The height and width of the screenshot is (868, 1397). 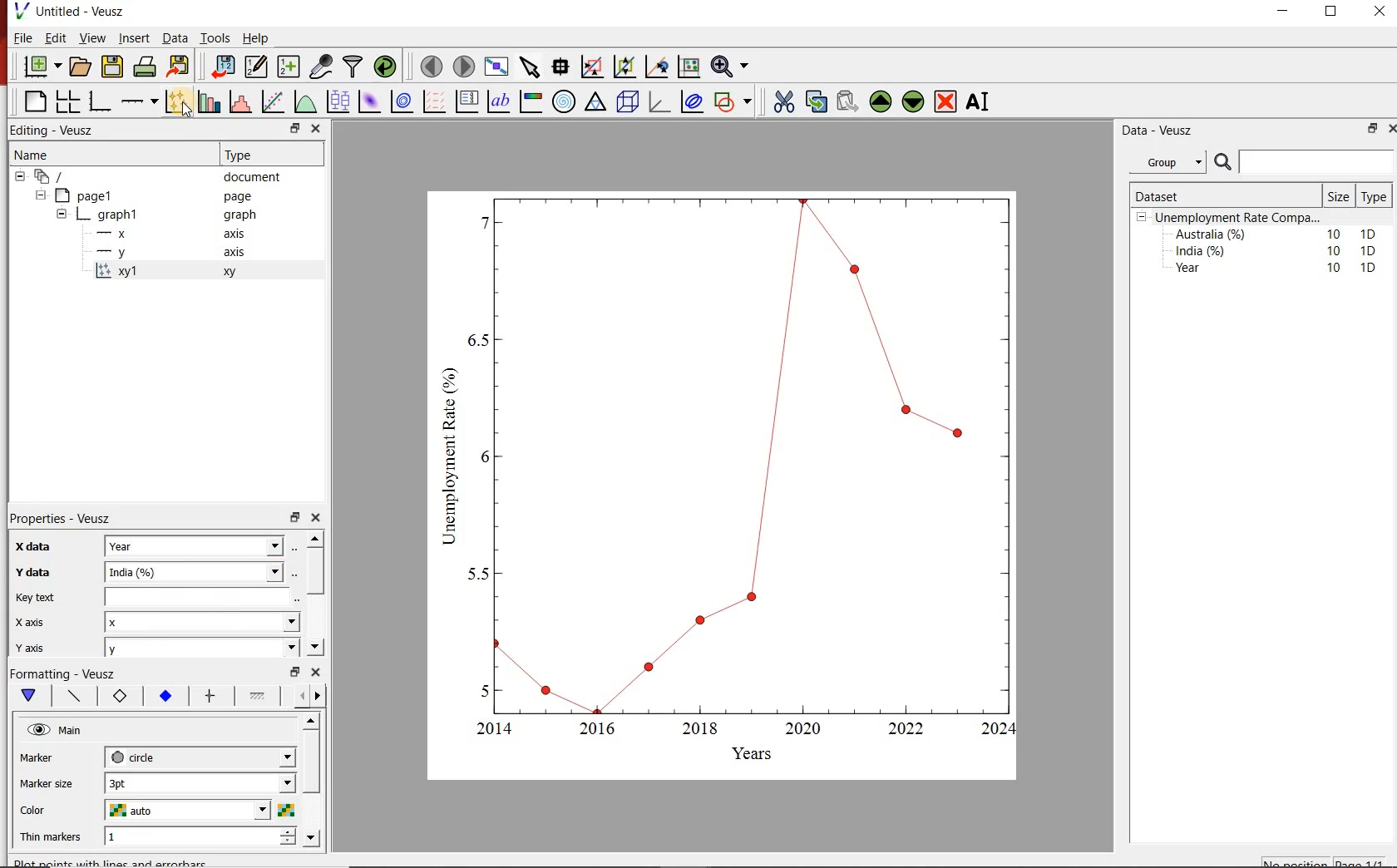 What do you see at coordinates (197, 545) in the screenshot?
I see `Year` at bounding box center [197, 545].